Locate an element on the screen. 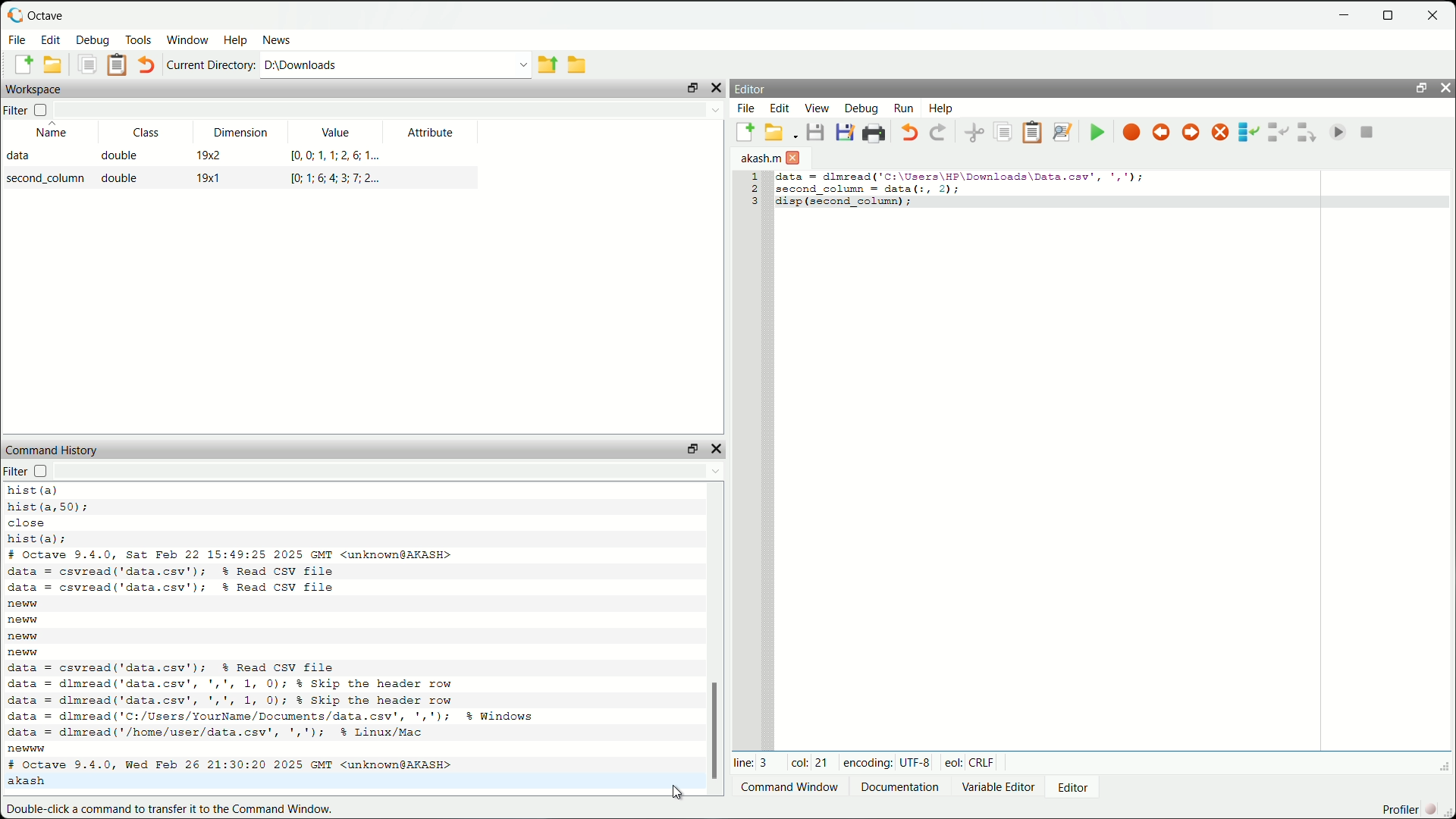  enter directory name is located at coordinates (395, 65).